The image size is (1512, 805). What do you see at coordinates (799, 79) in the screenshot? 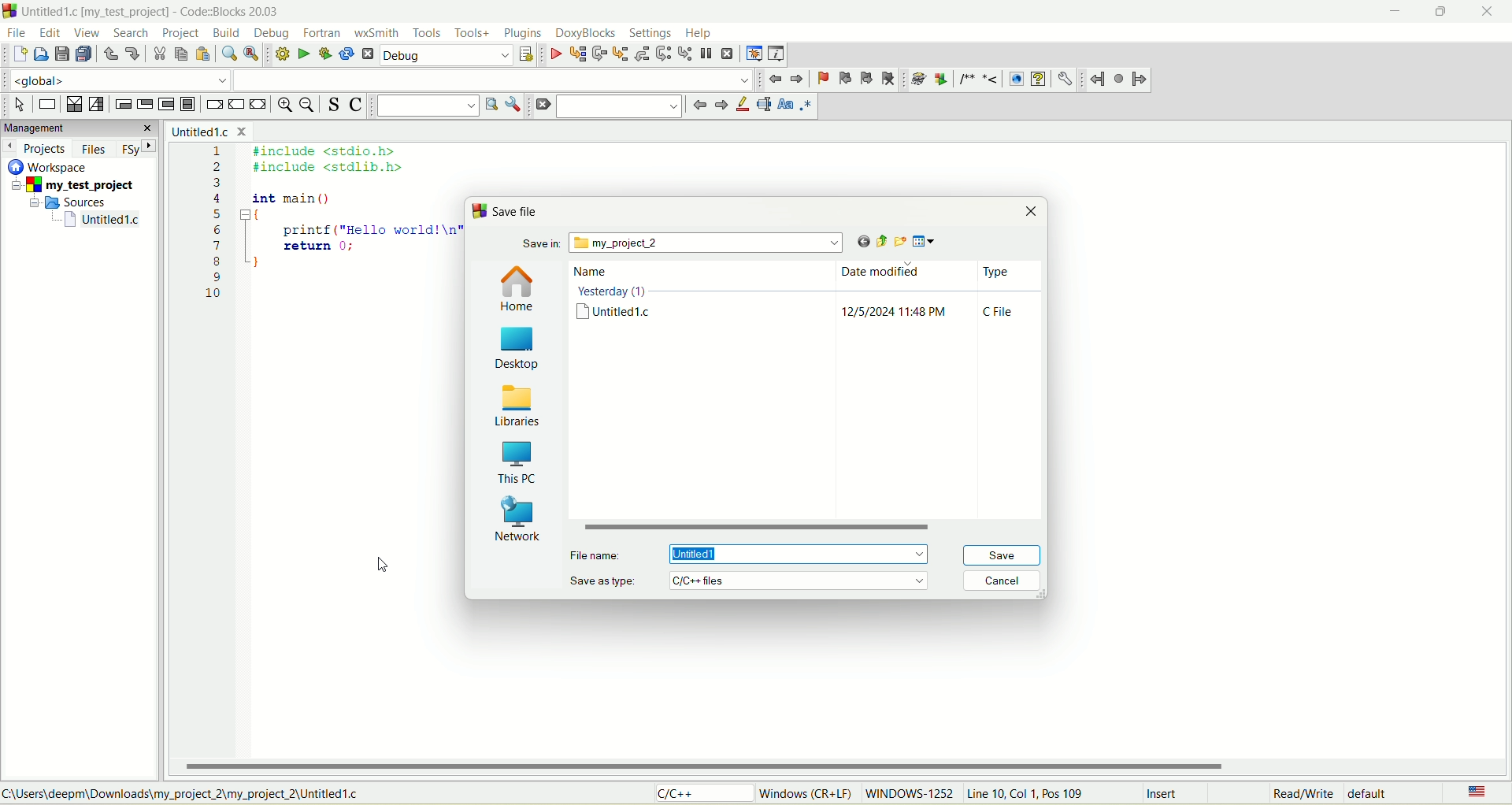
I see `jump forward` at bounding box center [799, 79].